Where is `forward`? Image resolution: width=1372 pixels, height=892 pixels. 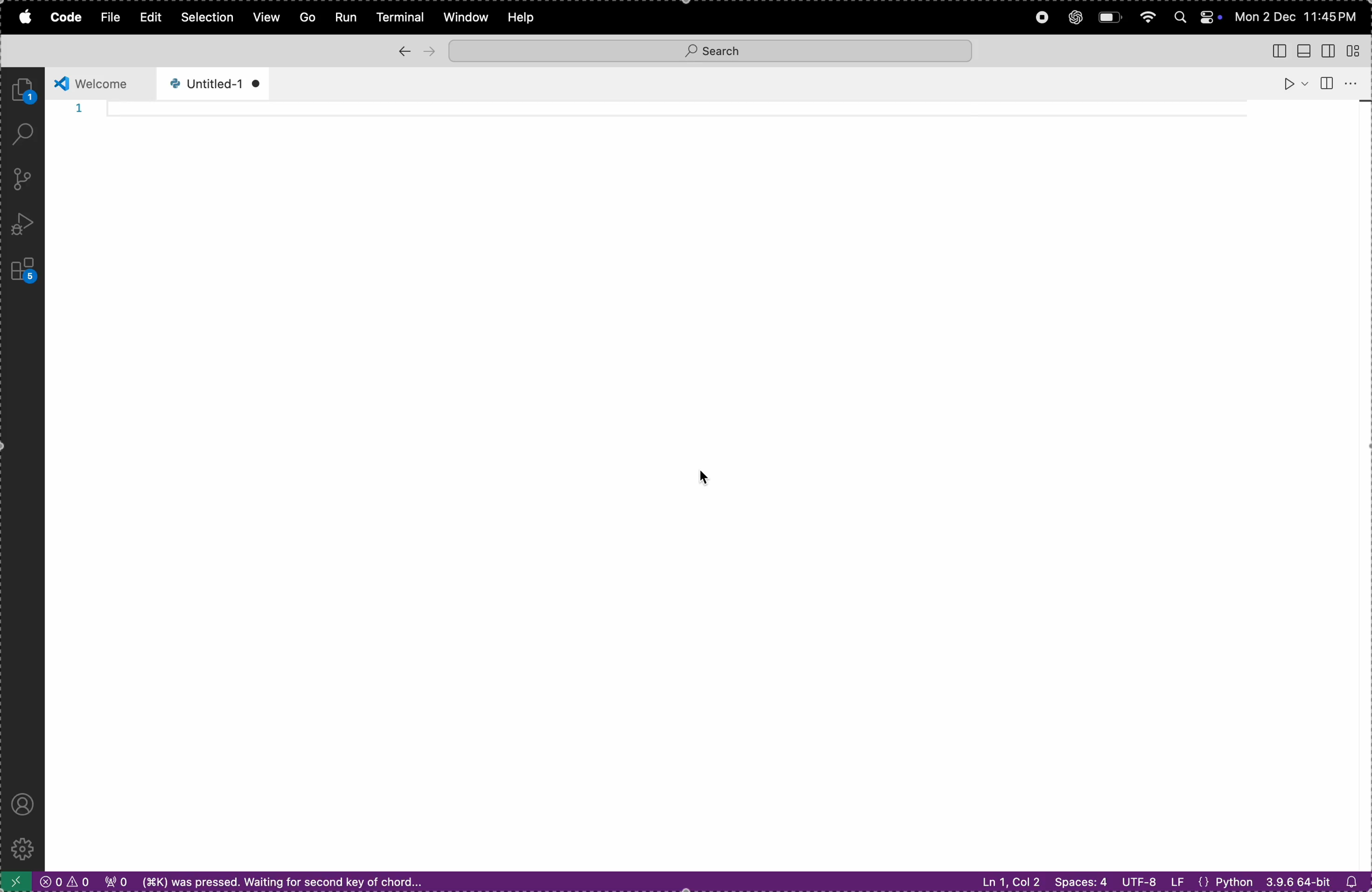
forward is located at coordinates (430, 50).